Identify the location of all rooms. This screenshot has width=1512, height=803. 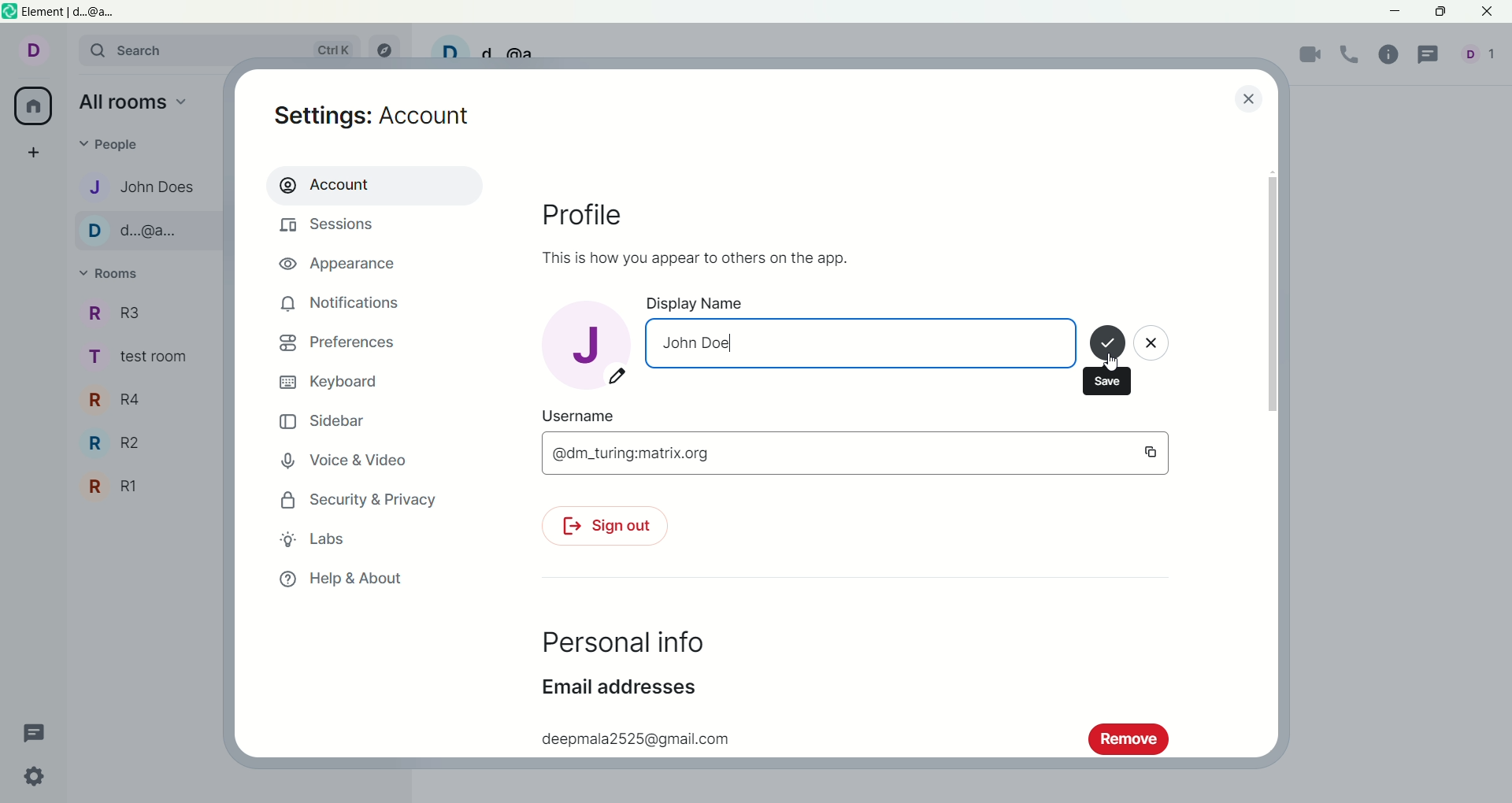
(135, 105).